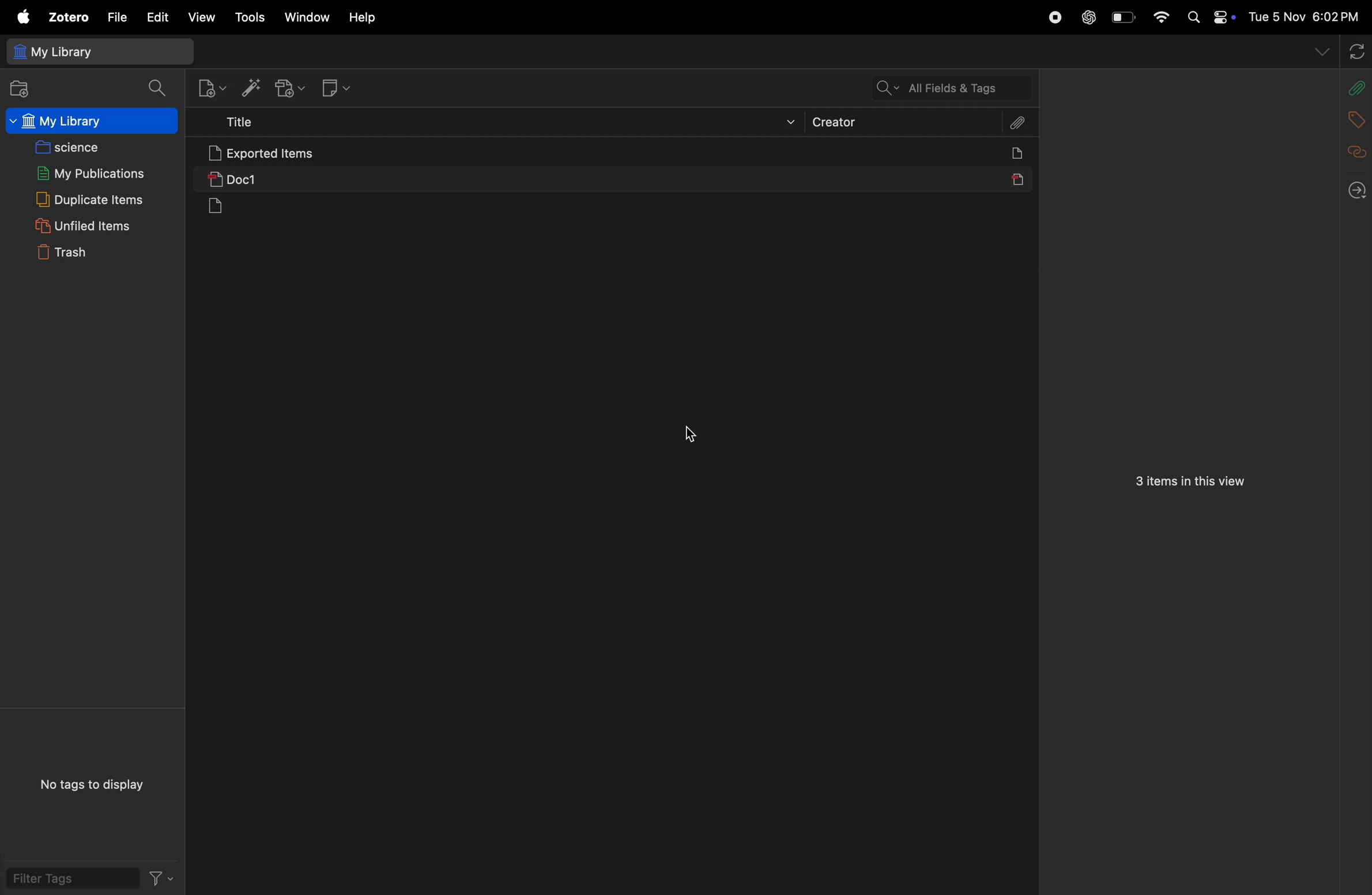  Describe the element at coordinates (114, 17) in the screenshot. I see `file` at that location.